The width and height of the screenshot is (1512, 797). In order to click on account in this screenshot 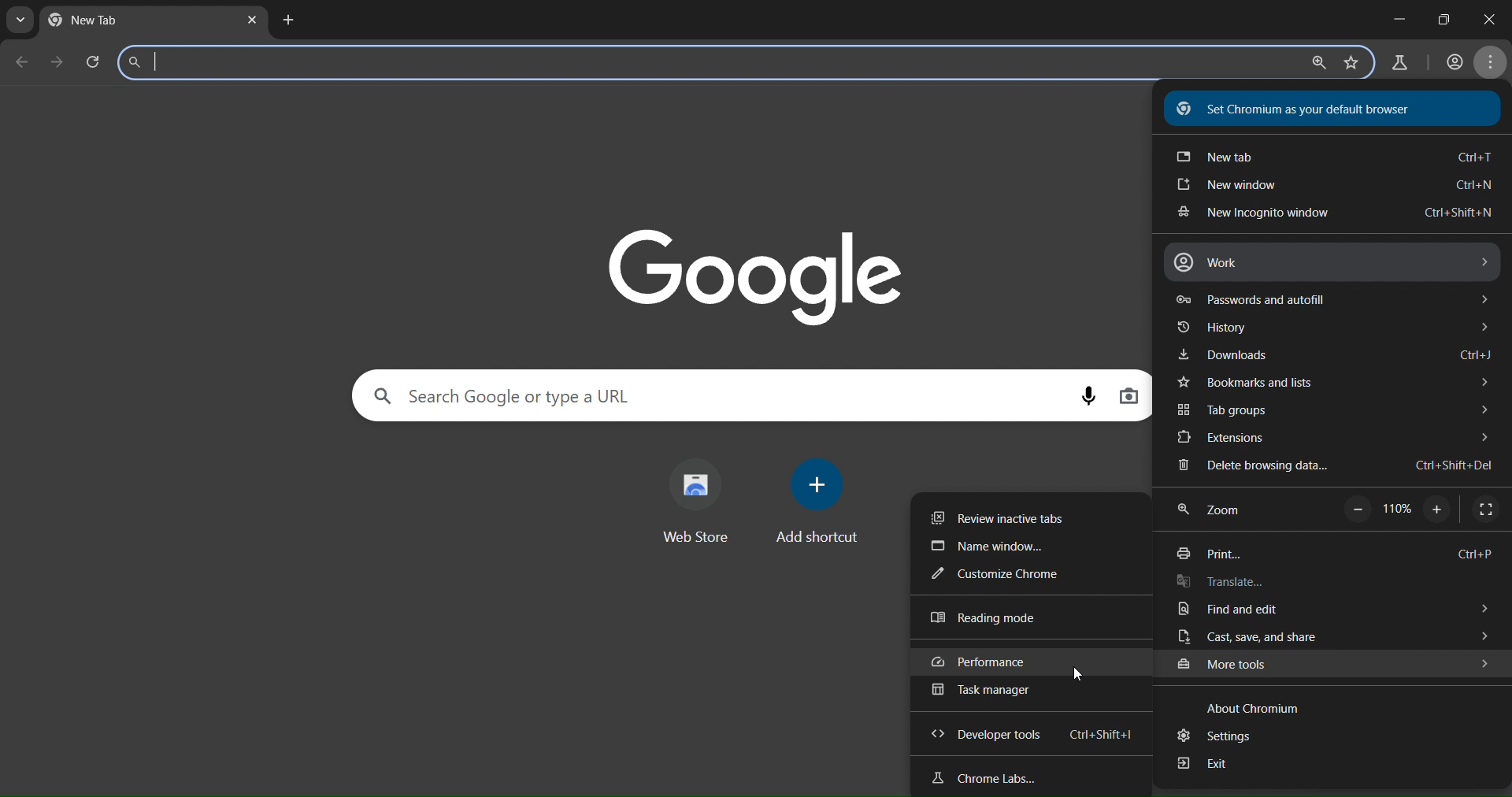, I will do `click(1452, 63)`.